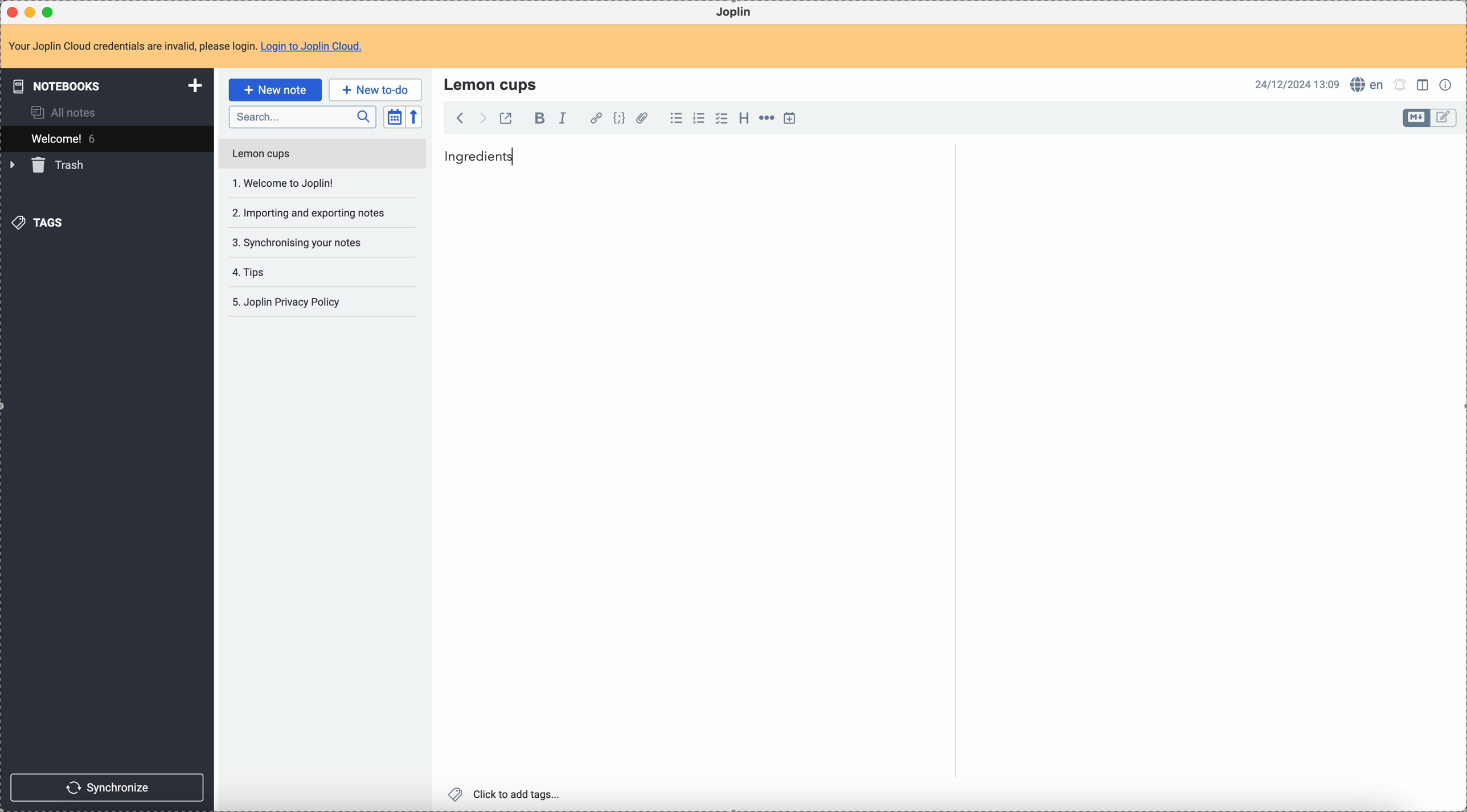 The width and height of the screenshot is (1467, 812). What do you see at coordinates (674, 118) in the screenshot?
I see `bulleted list` at bounding box center [674, 118].